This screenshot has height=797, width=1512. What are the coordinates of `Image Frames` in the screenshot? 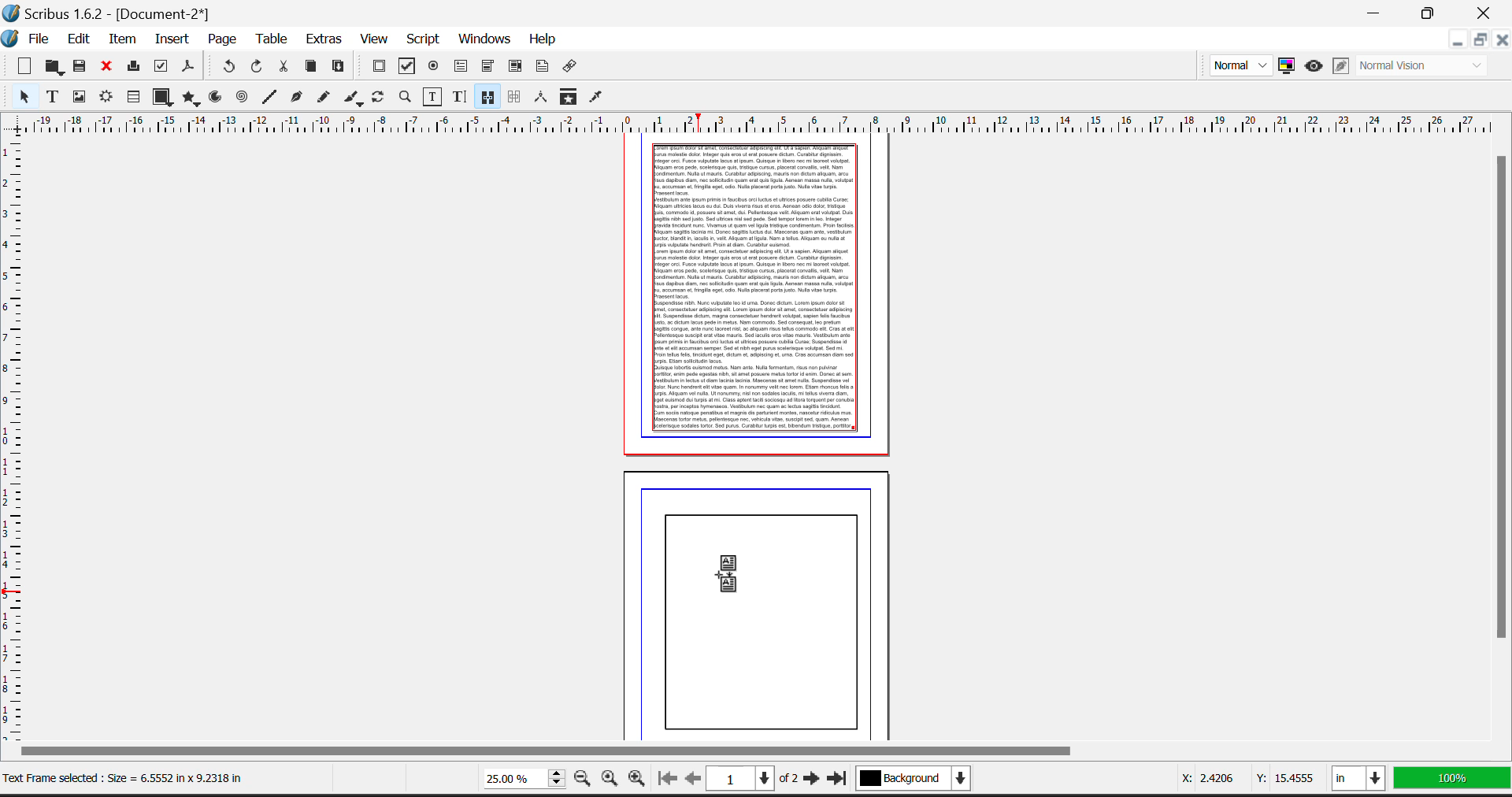 It's located at (79, 96).